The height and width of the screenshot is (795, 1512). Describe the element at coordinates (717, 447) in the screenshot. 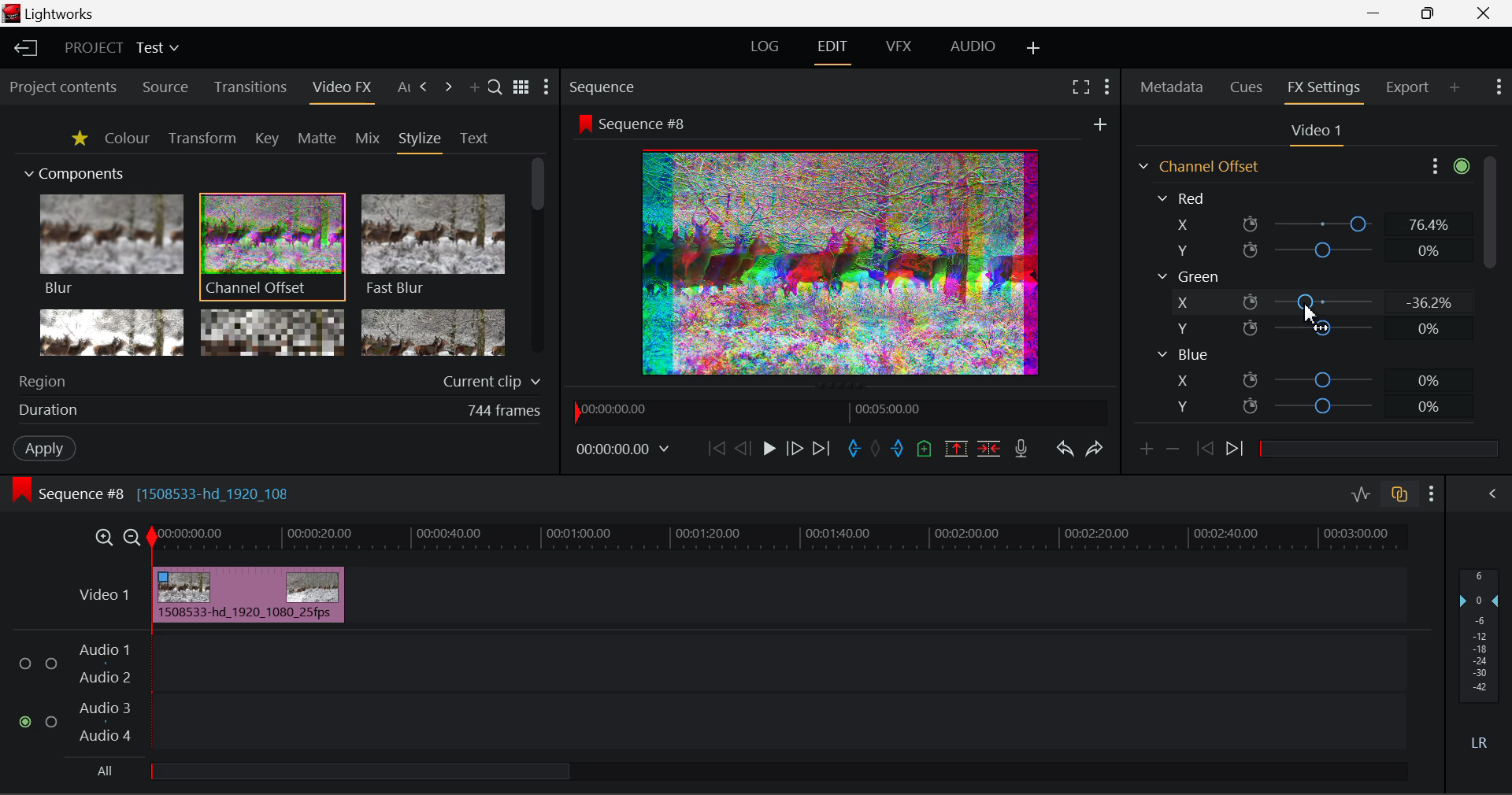

I see `To Start` at that location.